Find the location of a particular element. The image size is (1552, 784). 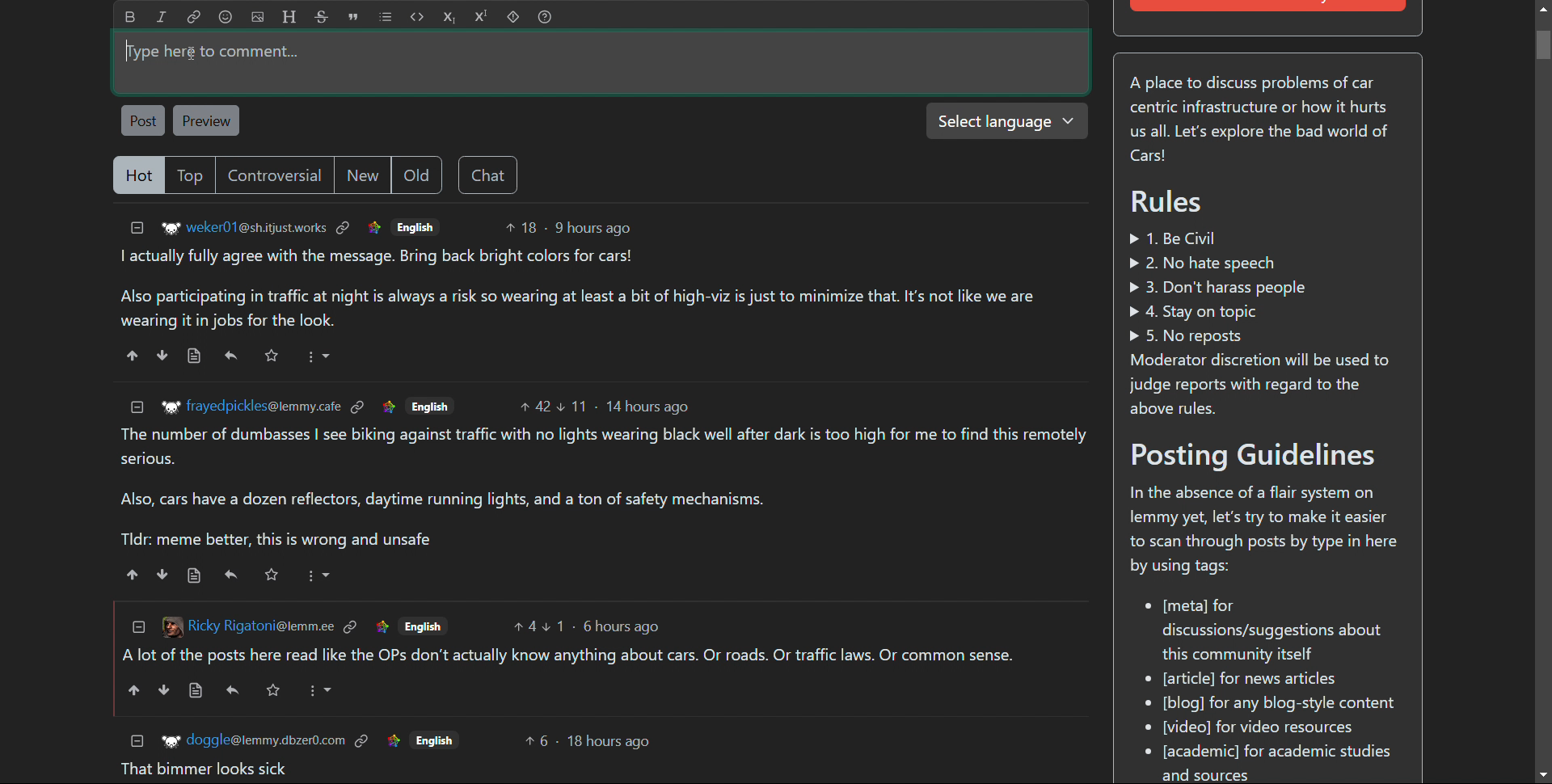

link is located at coordinates (373, 228).